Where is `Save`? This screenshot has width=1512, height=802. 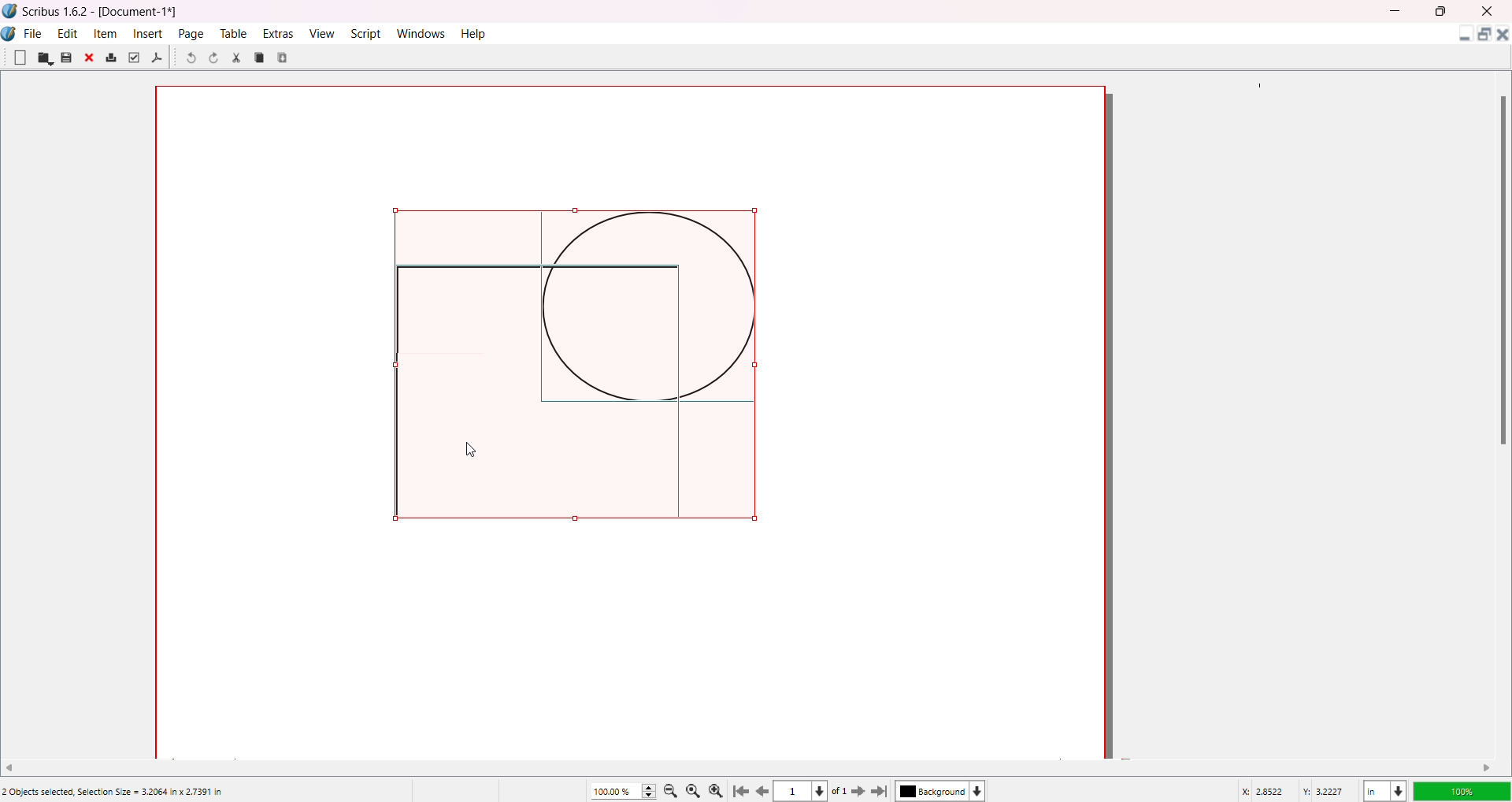
Save is located at coordinates (66, 58).